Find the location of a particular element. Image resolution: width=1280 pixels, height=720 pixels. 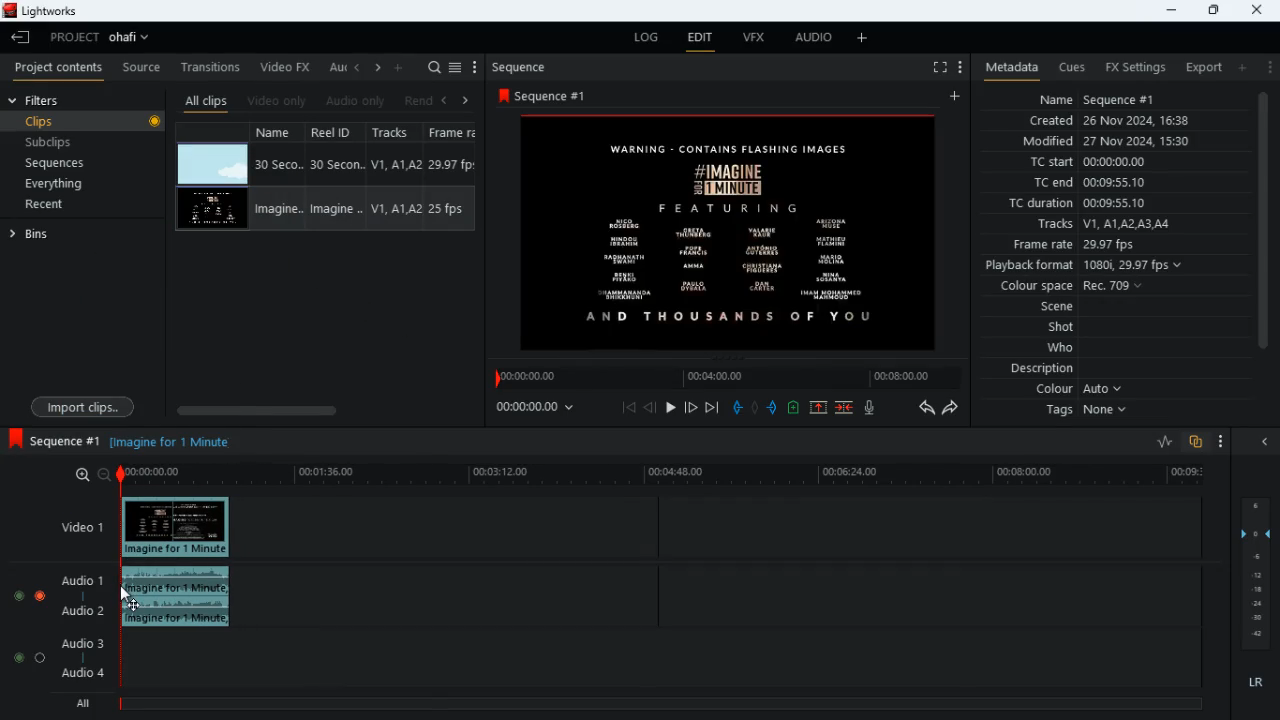

back is located at coordinates (443, 101).